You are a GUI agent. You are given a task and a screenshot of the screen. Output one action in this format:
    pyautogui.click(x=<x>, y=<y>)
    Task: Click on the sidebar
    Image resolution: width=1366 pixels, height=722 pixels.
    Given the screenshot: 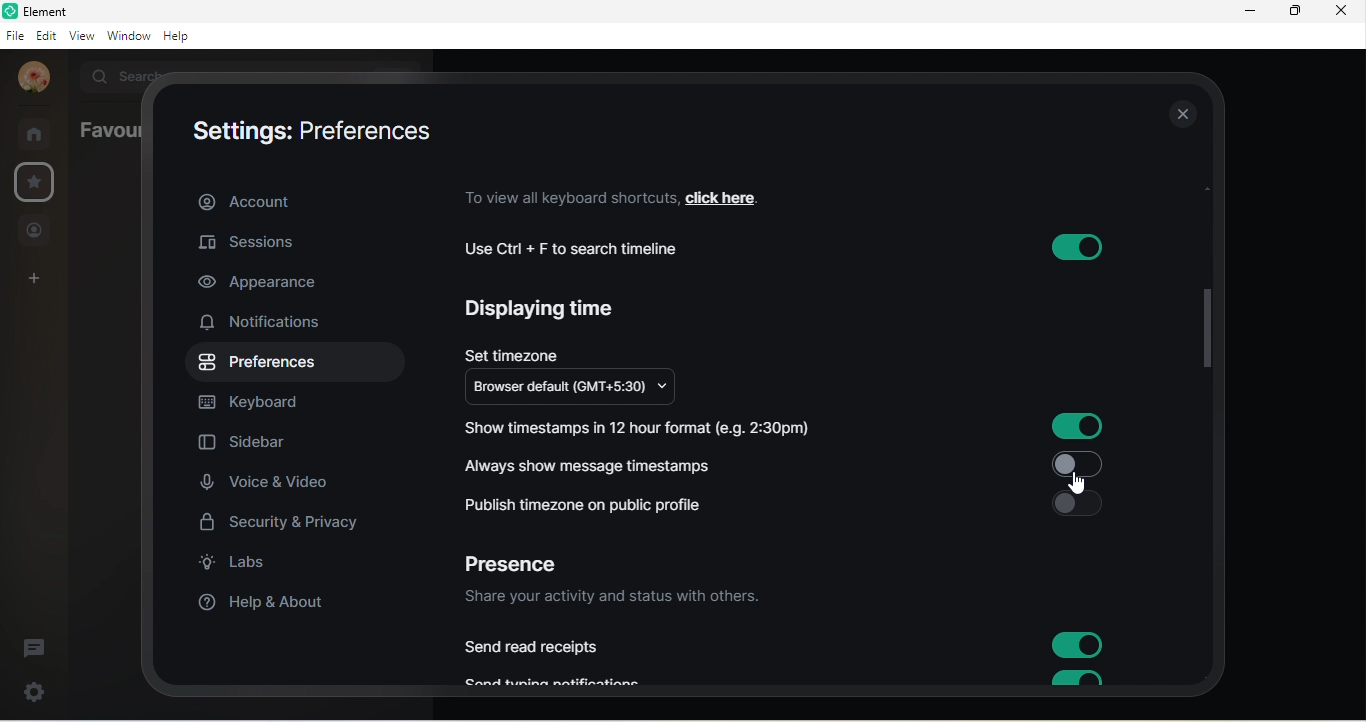 What is the action you would take?
    pyautogui.click(x=245, y=445)
    